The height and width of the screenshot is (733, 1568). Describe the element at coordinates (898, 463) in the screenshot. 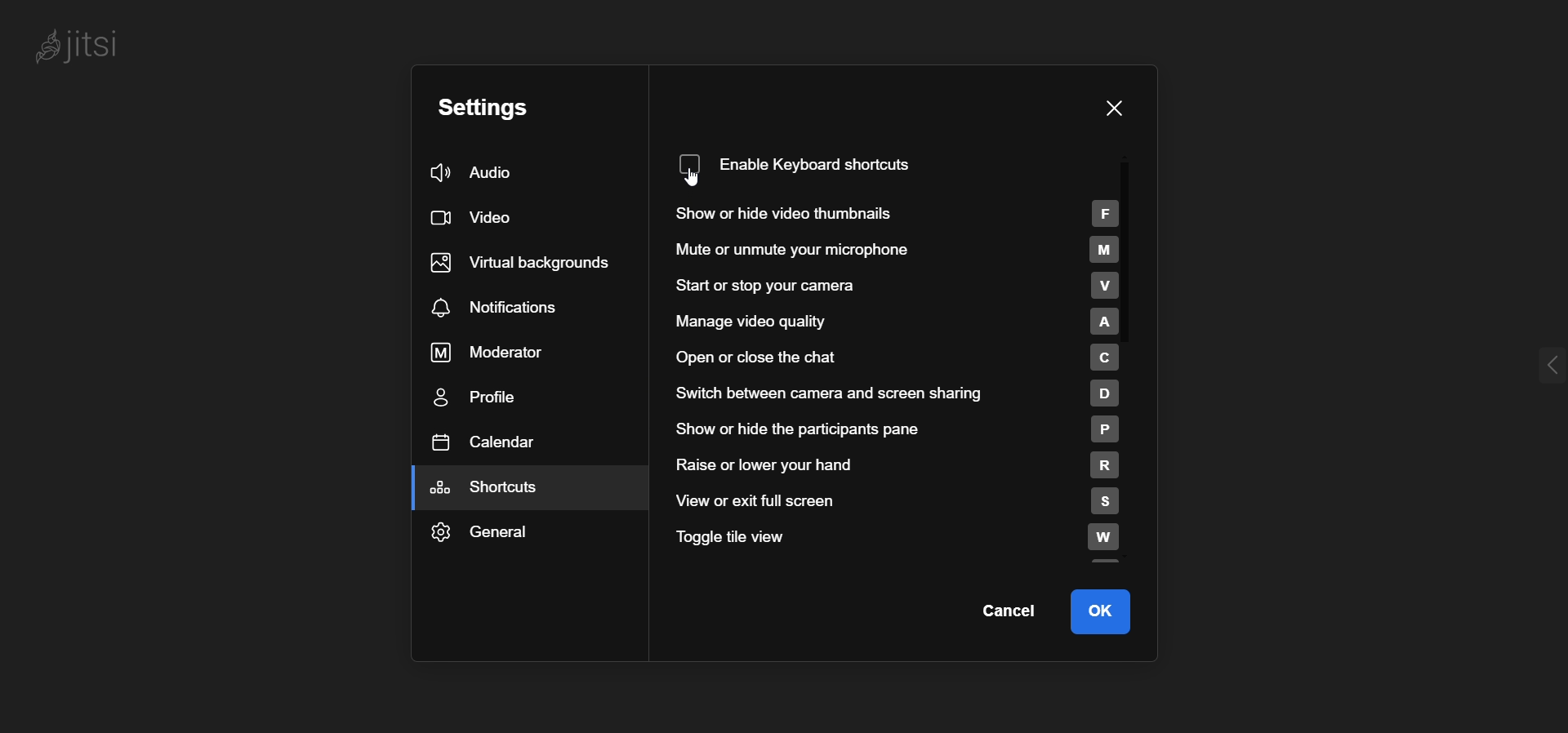

I see `raise or lower hand` at that location.